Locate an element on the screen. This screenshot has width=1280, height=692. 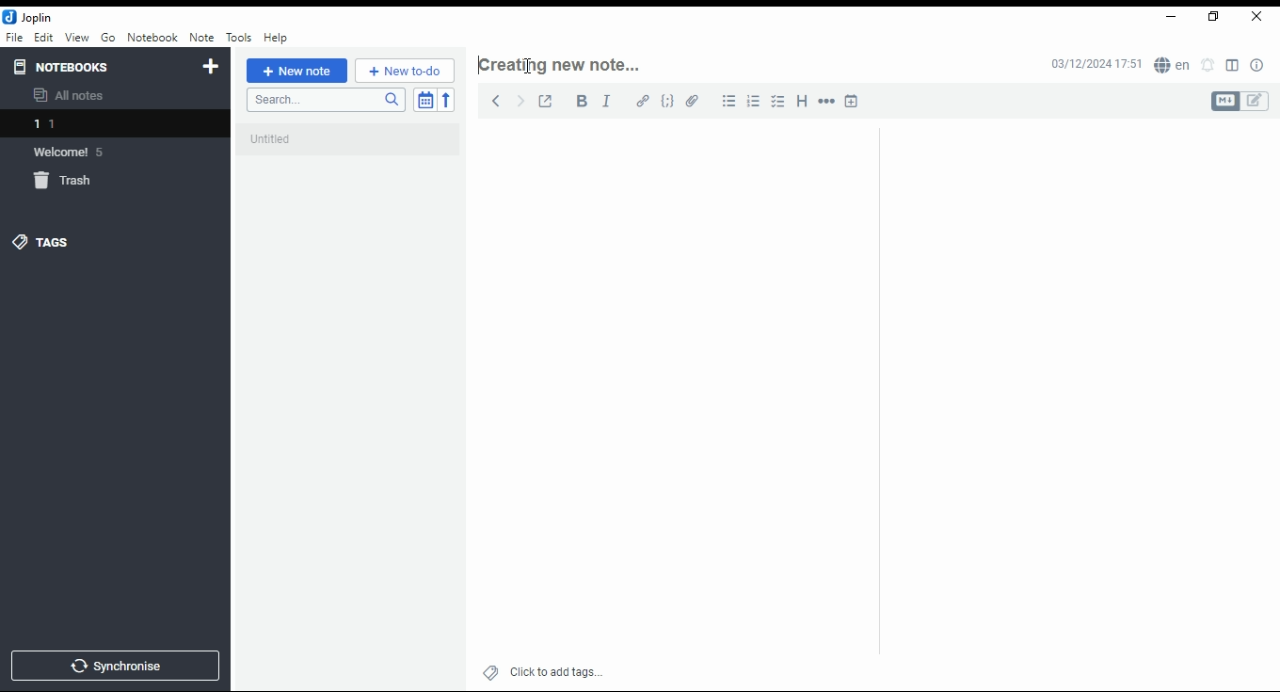
03/12/2024 17:51 is located at coordinates (1094, 65).